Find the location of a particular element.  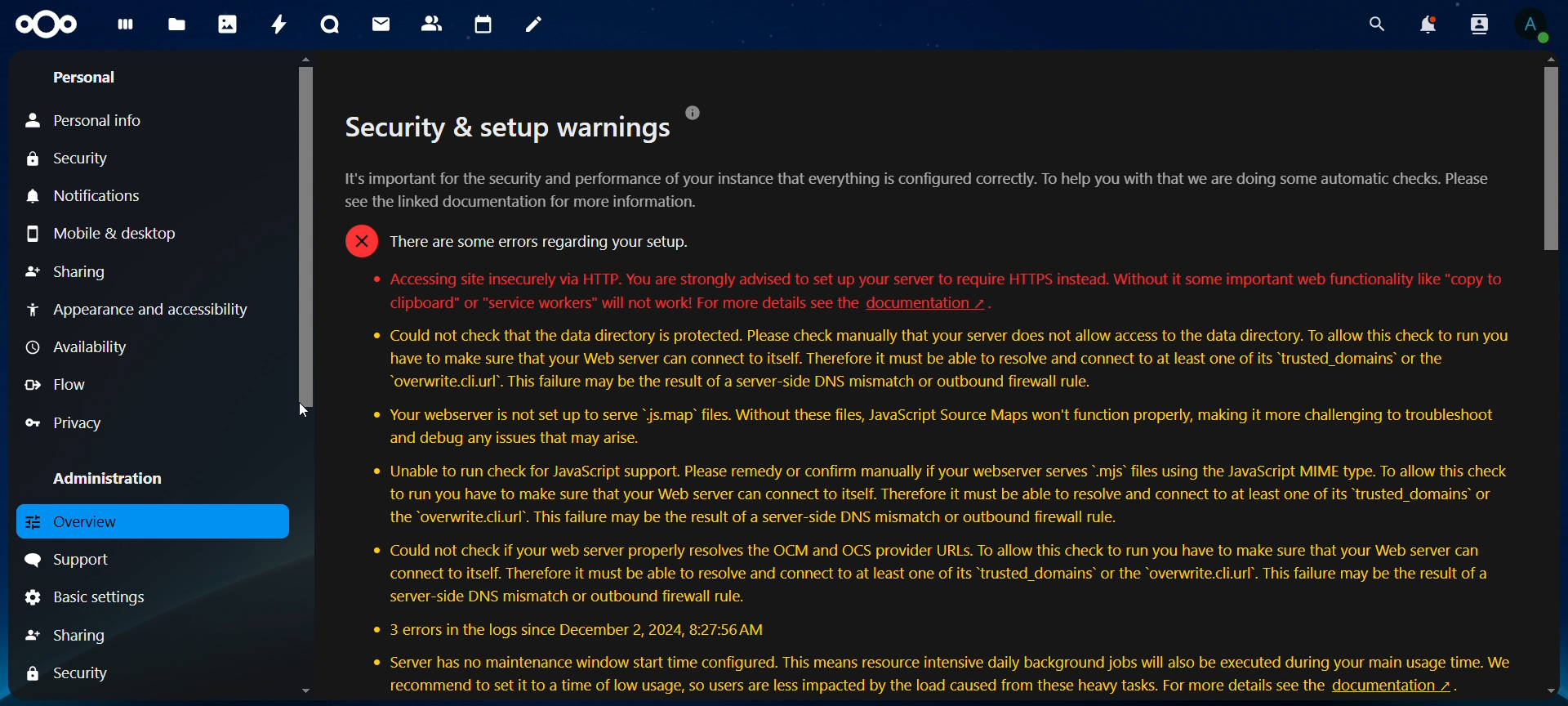

notifications is located at coordinates (1427, 25).